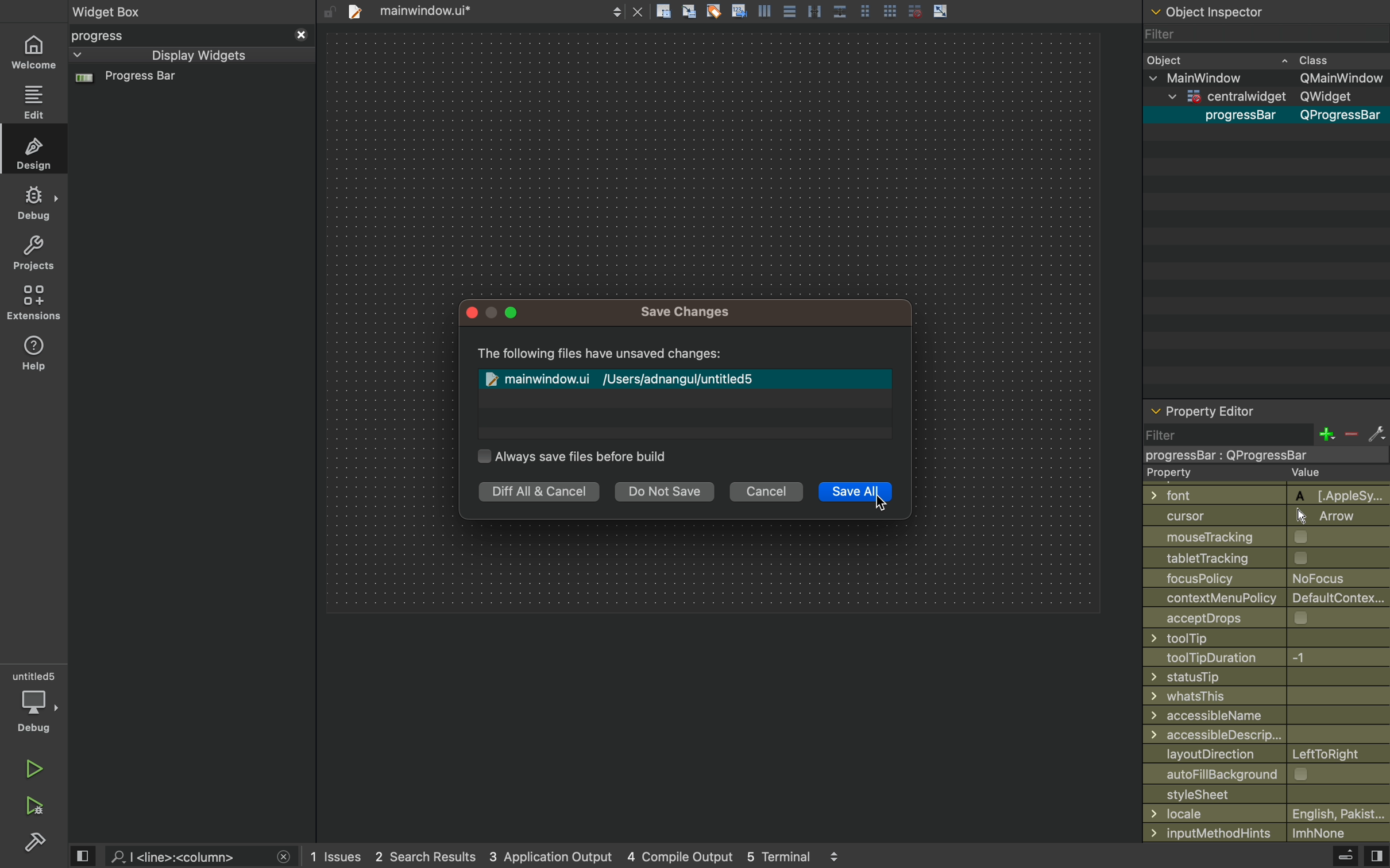 The image size is (1390, 868). I want to click on filter, so click(1265, 434).